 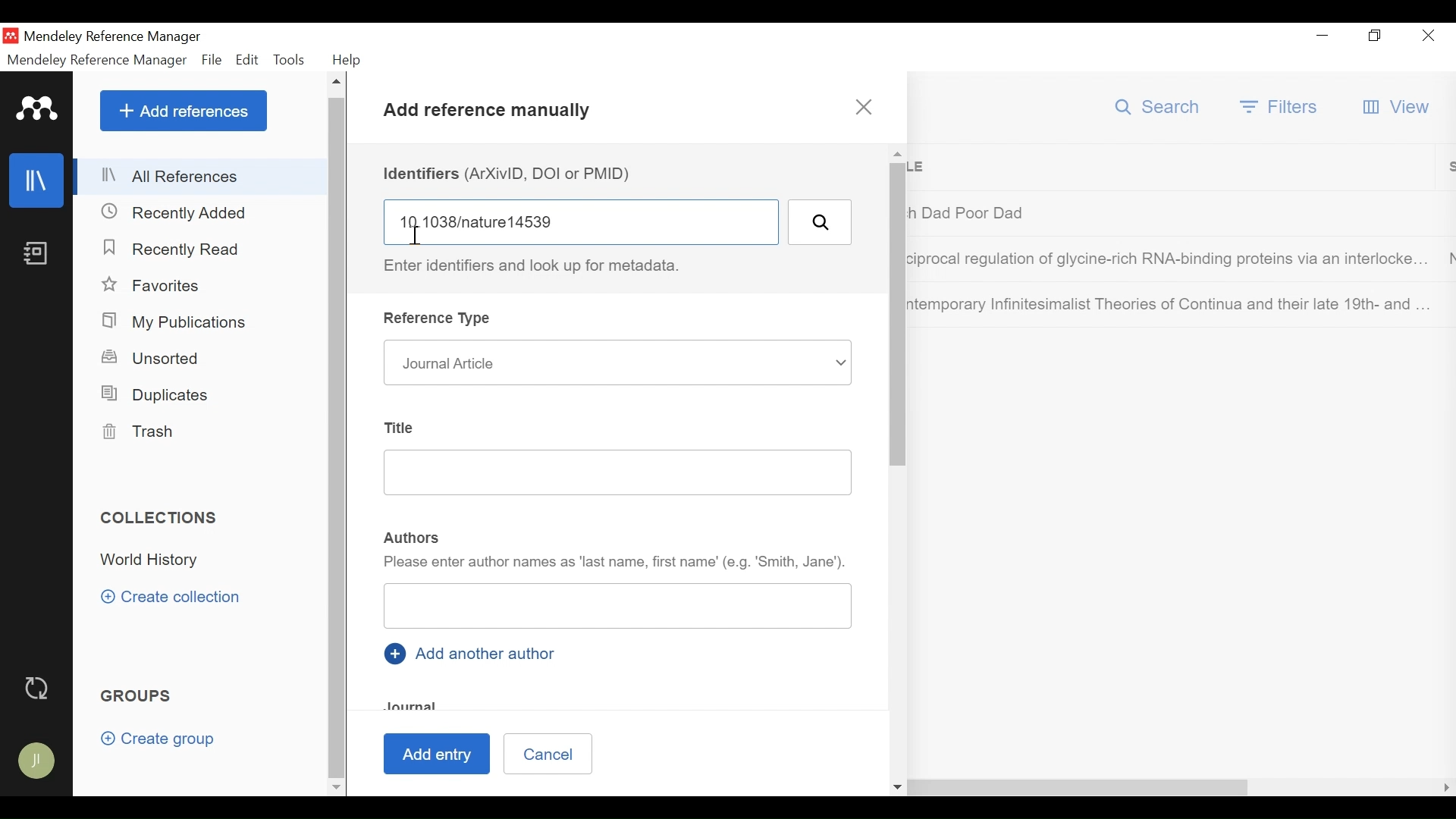 What do you see at coordinates (199, 177) in the screenshot?
I see `All References` at bounding box center [199, 177].